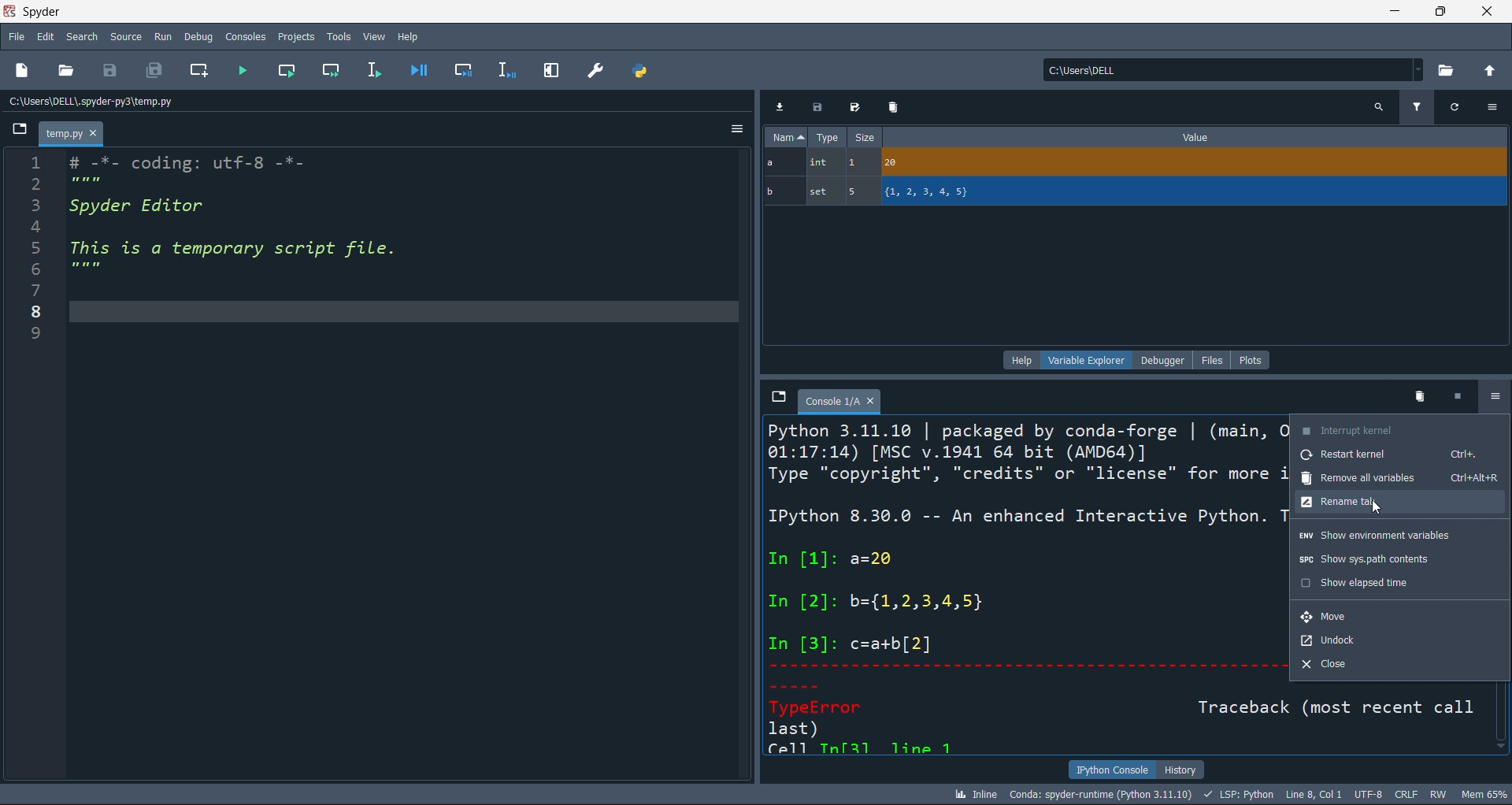 Image resolution: width=1512 pixels, height=805 pixels. I want to click on size, so click(864, 138).